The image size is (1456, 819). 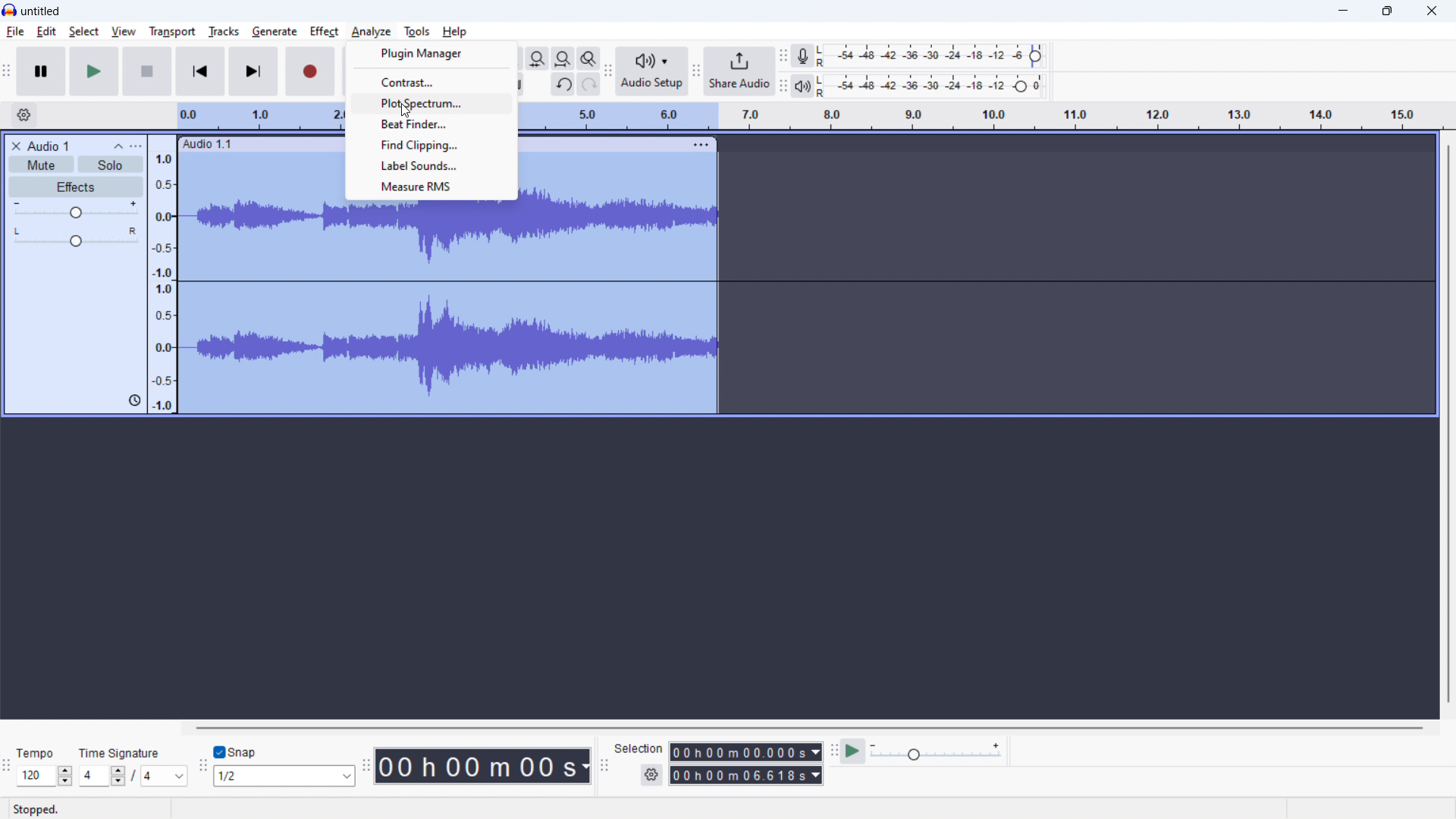 What do you see at coordinates (42, 165) in the screenshot?
I see `mute` at bounding box center [42, 165].